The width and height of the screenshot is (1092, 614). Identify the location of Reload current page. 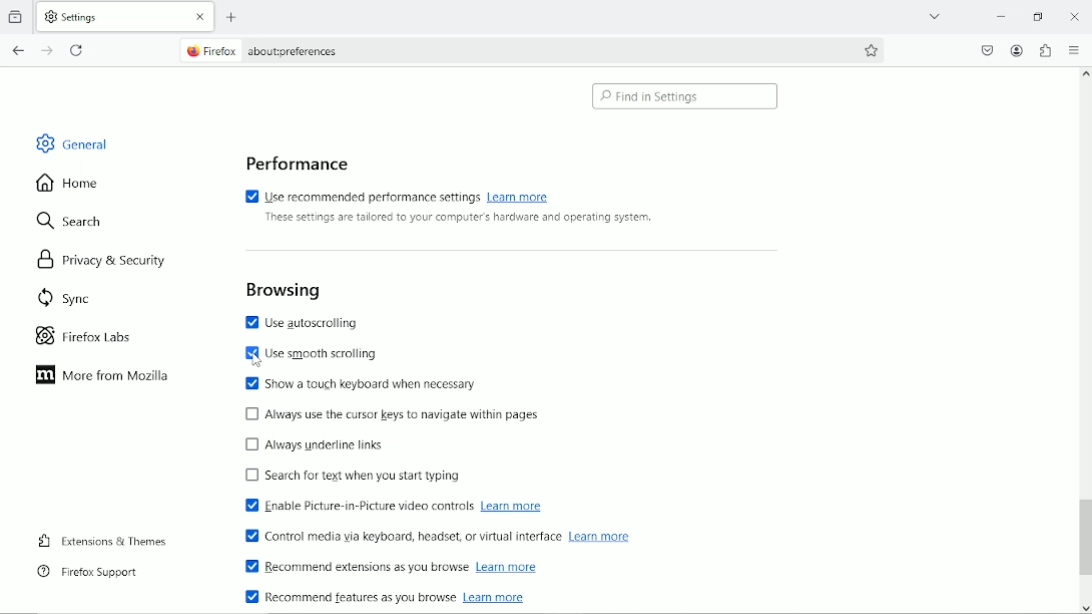
(78, 50).